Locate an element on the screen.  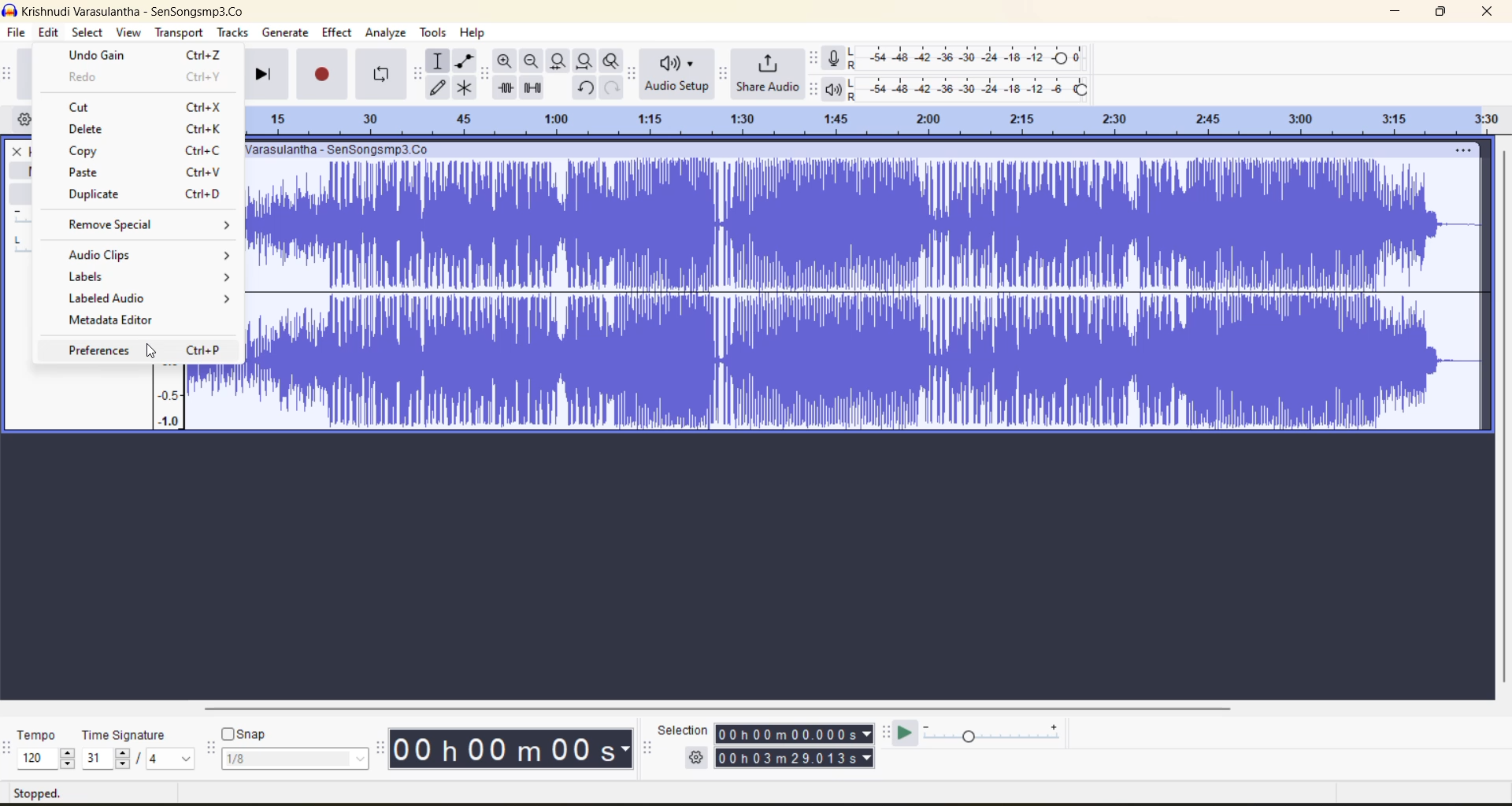
tools is located at coordinates (434, 33).